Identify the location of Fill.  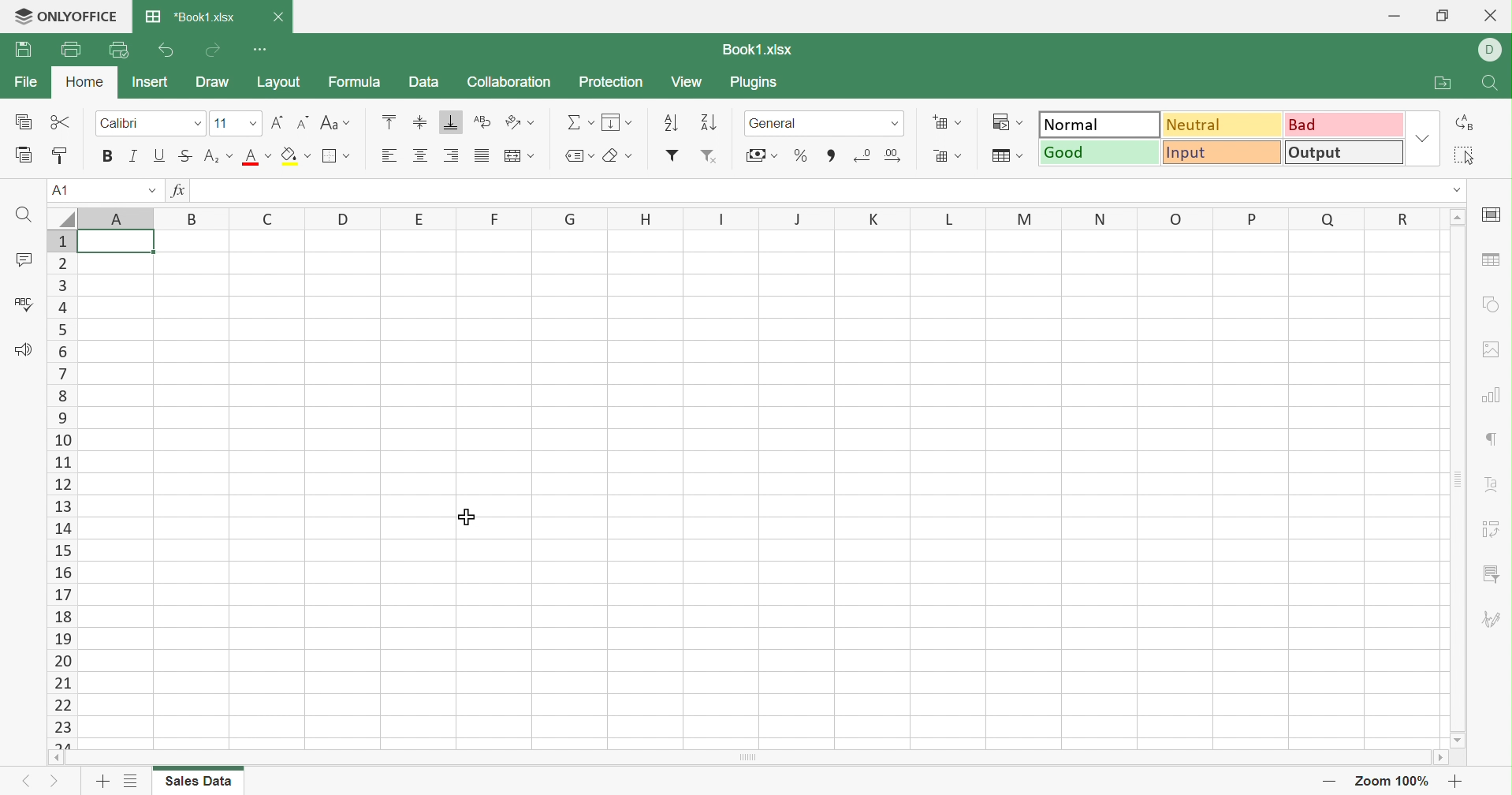
(619, 121).